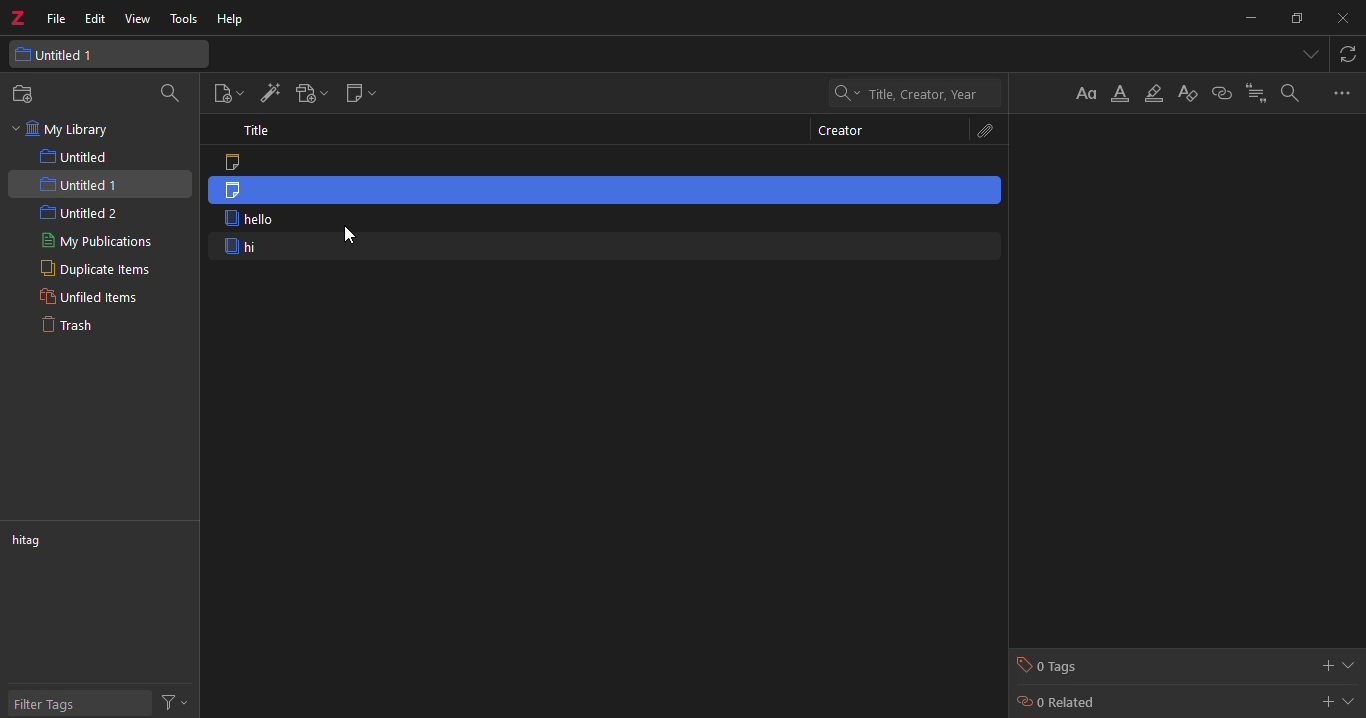  Describe the element at coordinates (1347, 19) in the screenshot. I see `close` at that location.